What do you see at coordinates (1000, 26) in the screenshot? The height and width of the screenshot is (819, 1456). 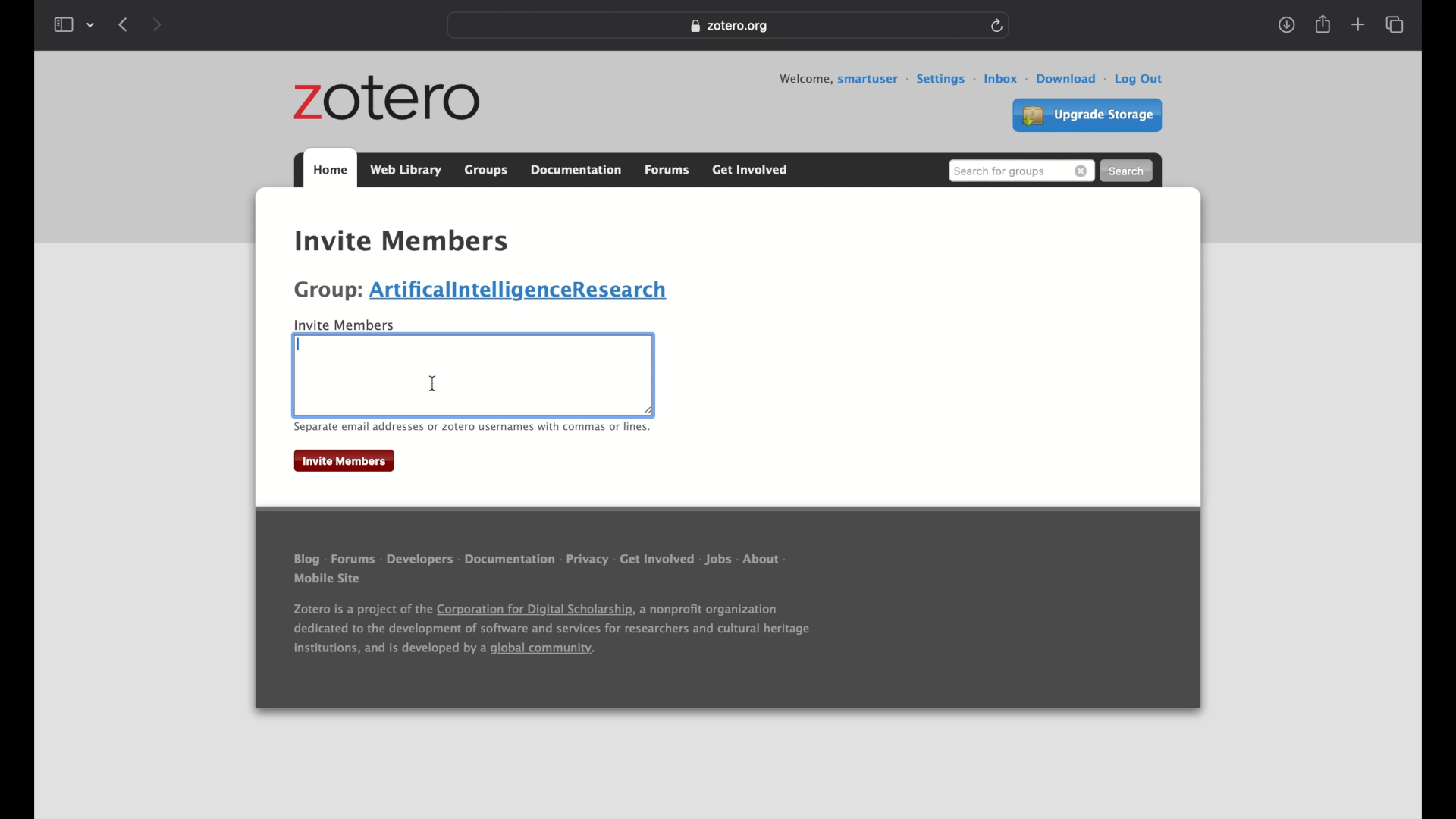 I see `refresh` at bounding box center [1000, 26].